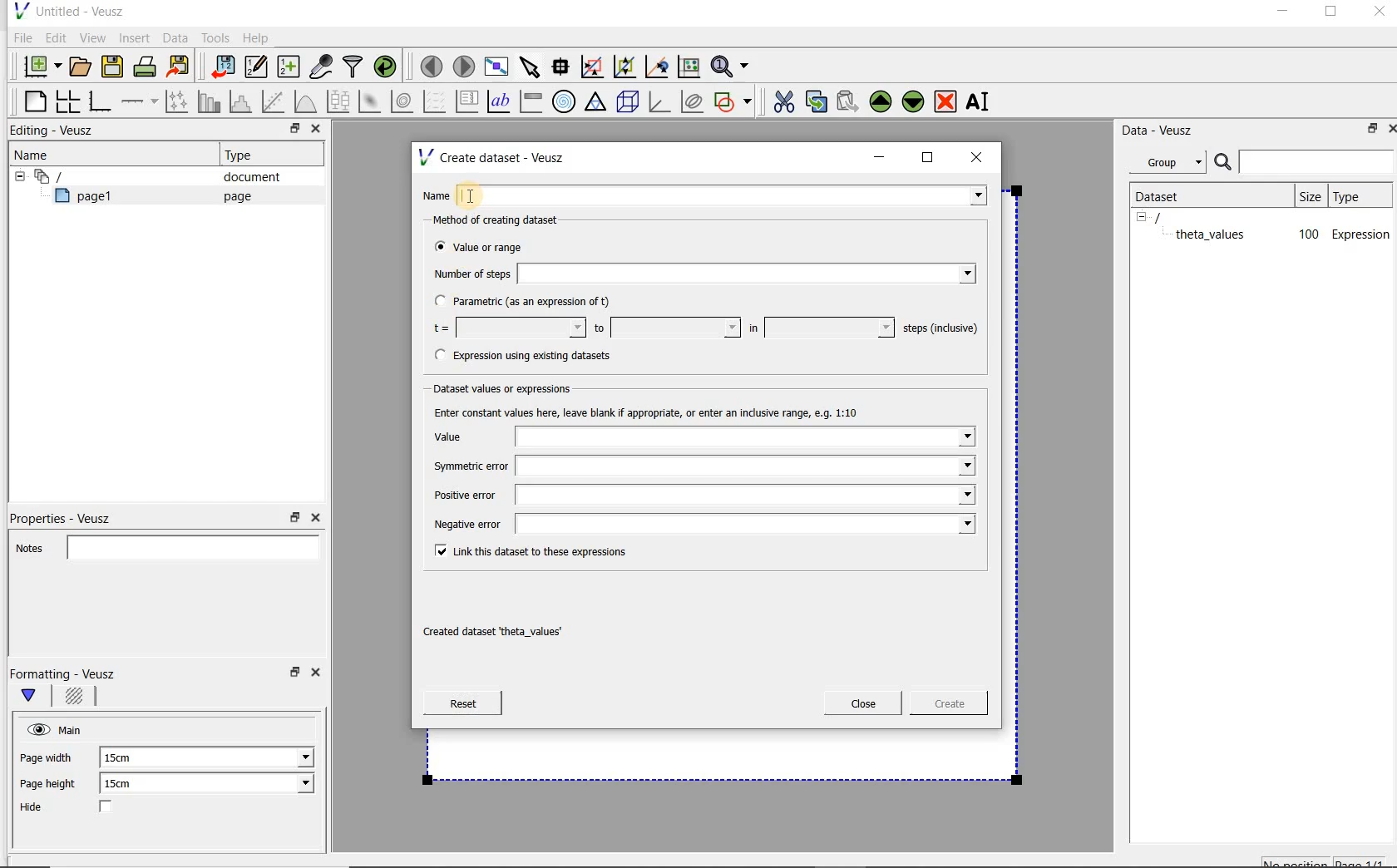 The width and height of the screenshot is (1397, 868). What do you see at coordinates (32, 99) in the screenshot?
I see `blank page` at bounding box center [32, 99].